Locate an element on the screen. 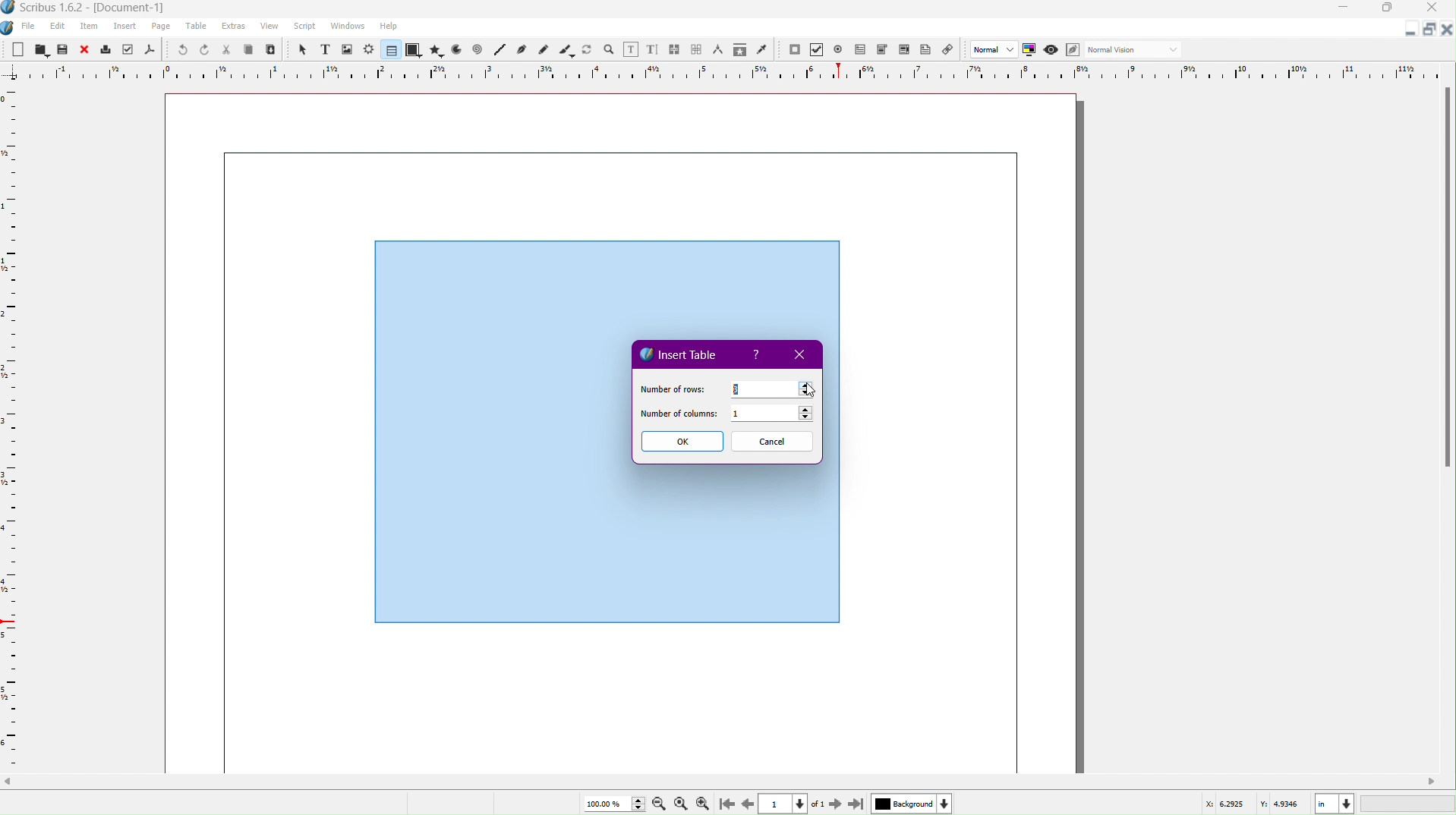  PDF Text Field is located at coordinates (863, 52).